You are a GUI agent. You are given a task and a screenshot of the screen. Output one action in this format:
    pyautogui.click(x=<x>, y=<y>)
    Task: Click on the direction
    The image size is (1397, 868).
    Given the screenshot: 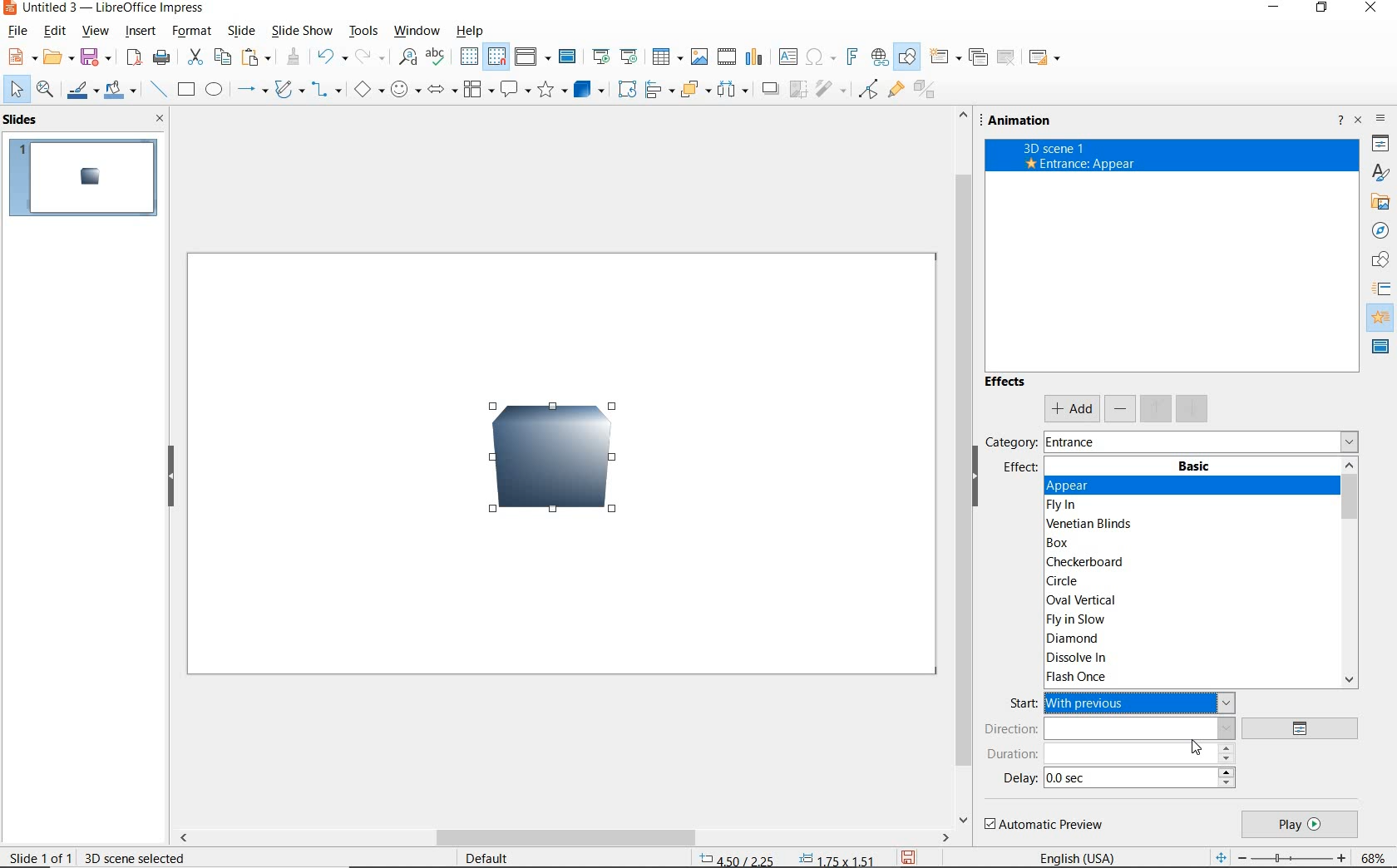 What is the action you would take?
    pyautogui.click(x=1109, y=728)
    